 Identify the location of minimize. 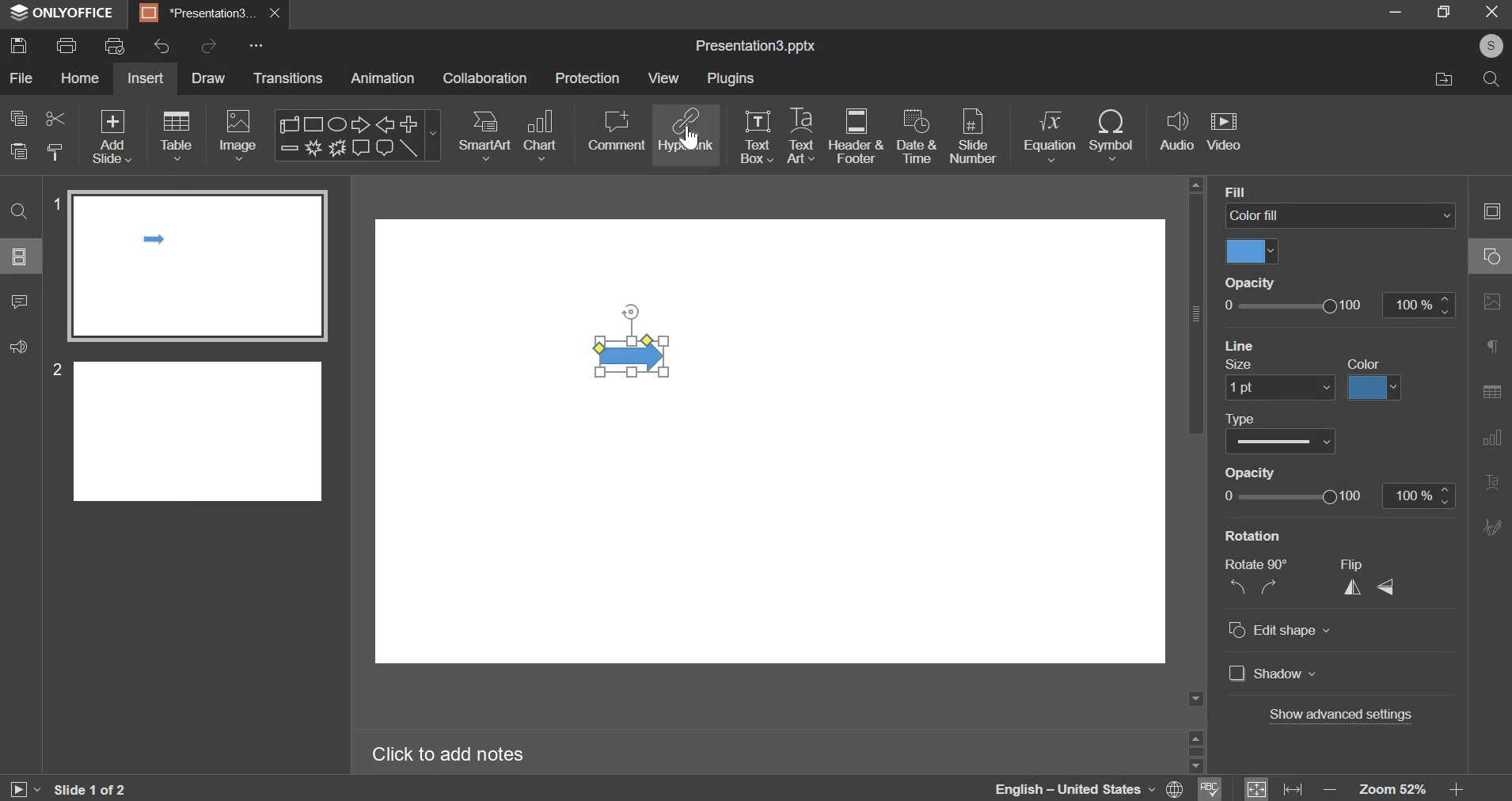
(1396, 11).